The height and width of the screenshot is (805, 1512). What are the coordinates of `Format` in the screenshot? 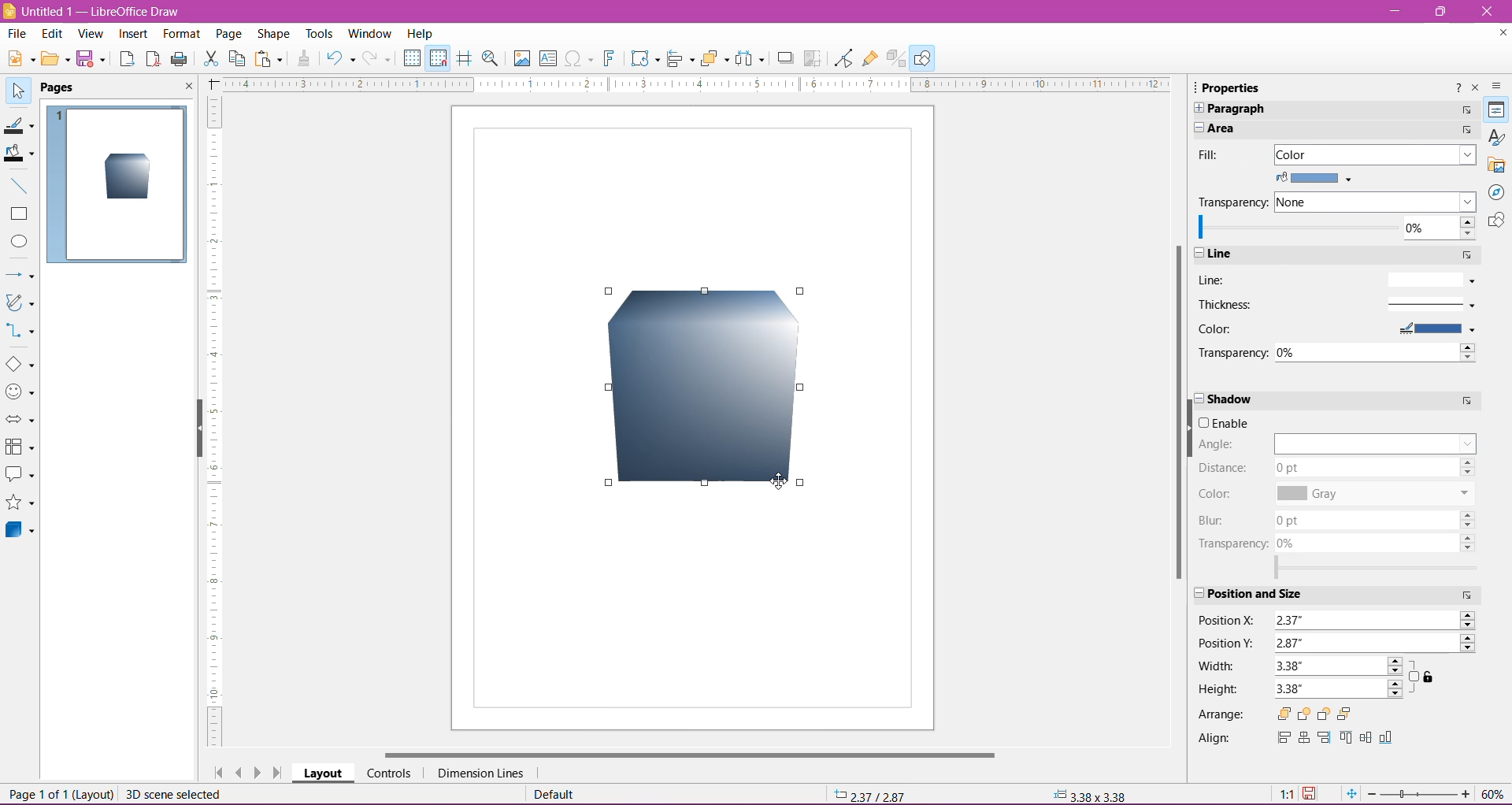 It's located at (180, 35).